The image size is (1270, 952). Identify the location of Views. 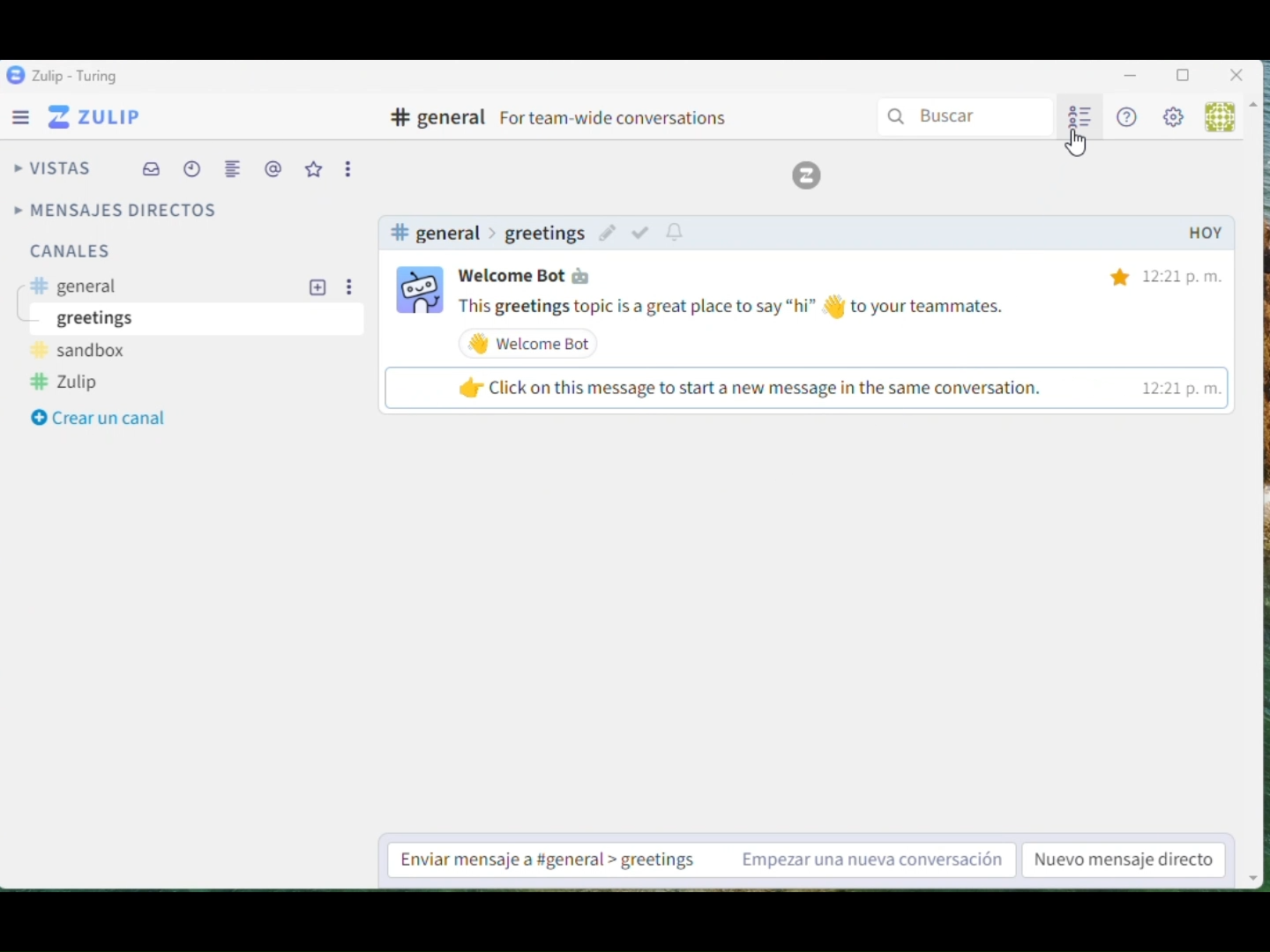
(53, 168).